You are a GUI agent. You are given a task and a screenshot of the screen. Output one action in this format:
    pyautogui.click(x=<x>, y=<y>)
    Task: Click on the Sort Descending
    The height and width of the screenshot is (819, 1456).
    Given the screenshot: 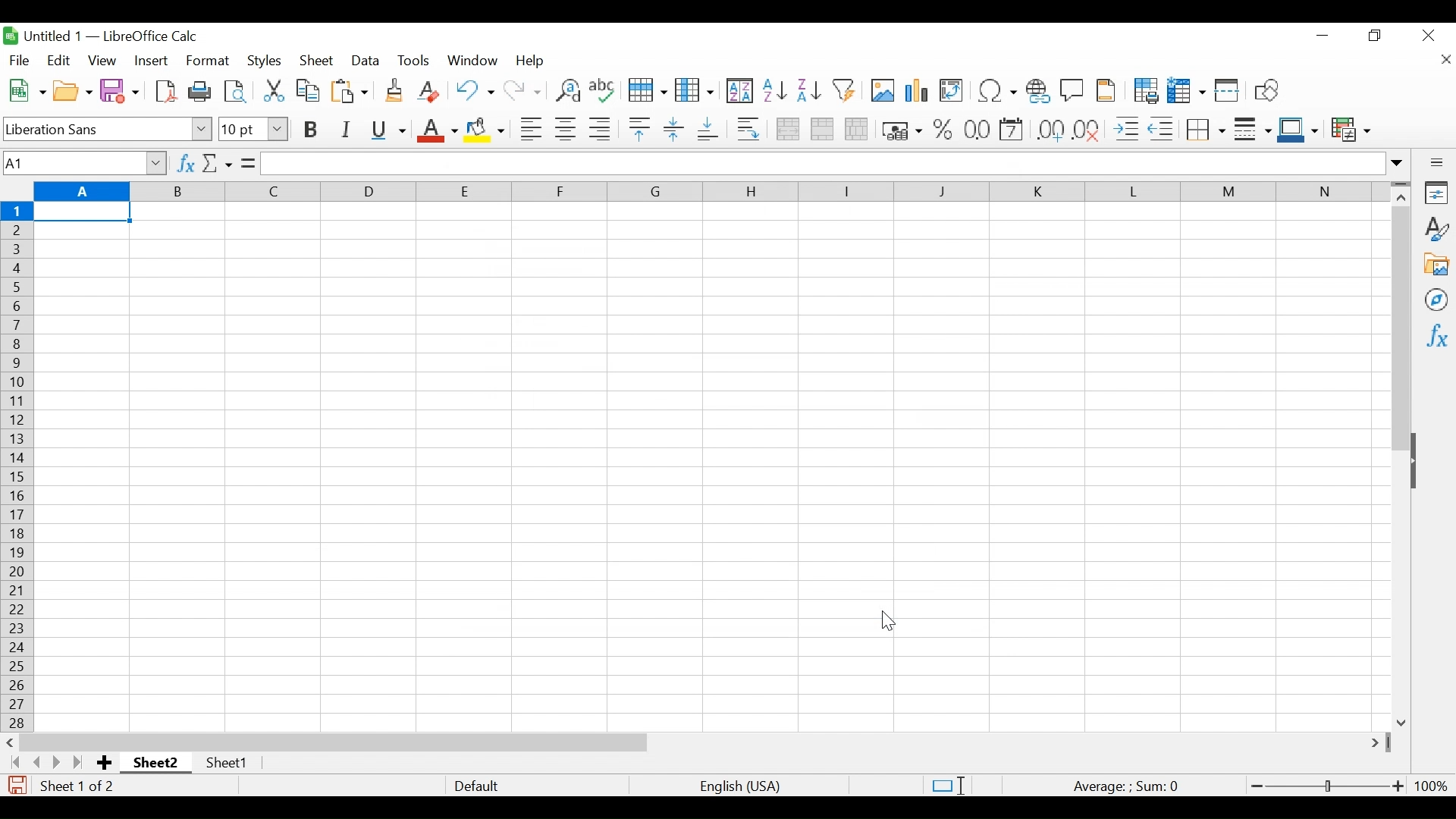 What is the action you would take?
    pyautogui.click(x=808, y=91)
    